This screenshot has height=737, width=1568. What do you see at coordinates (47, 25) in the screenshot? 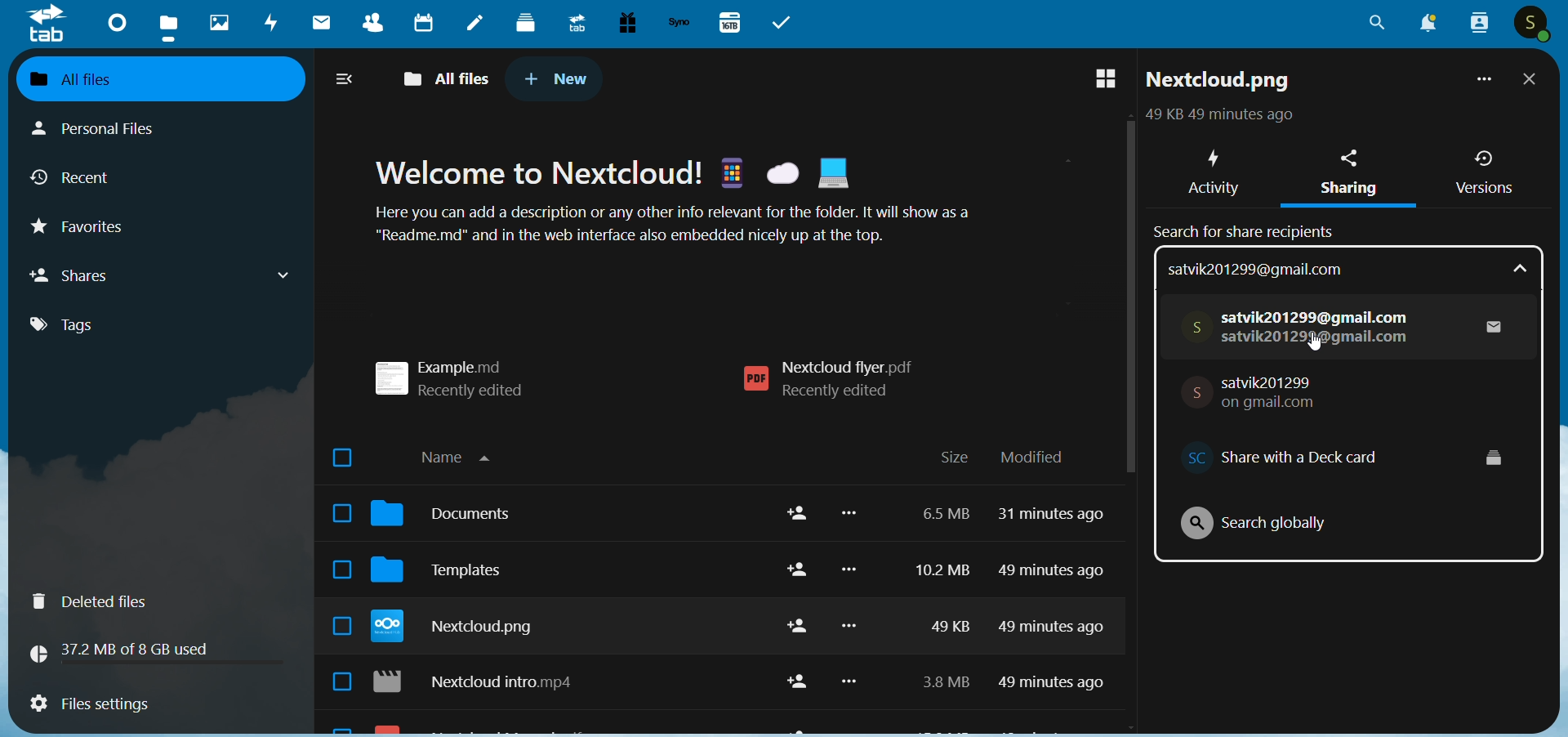
I see `logo` at bounding box center [47, 25].